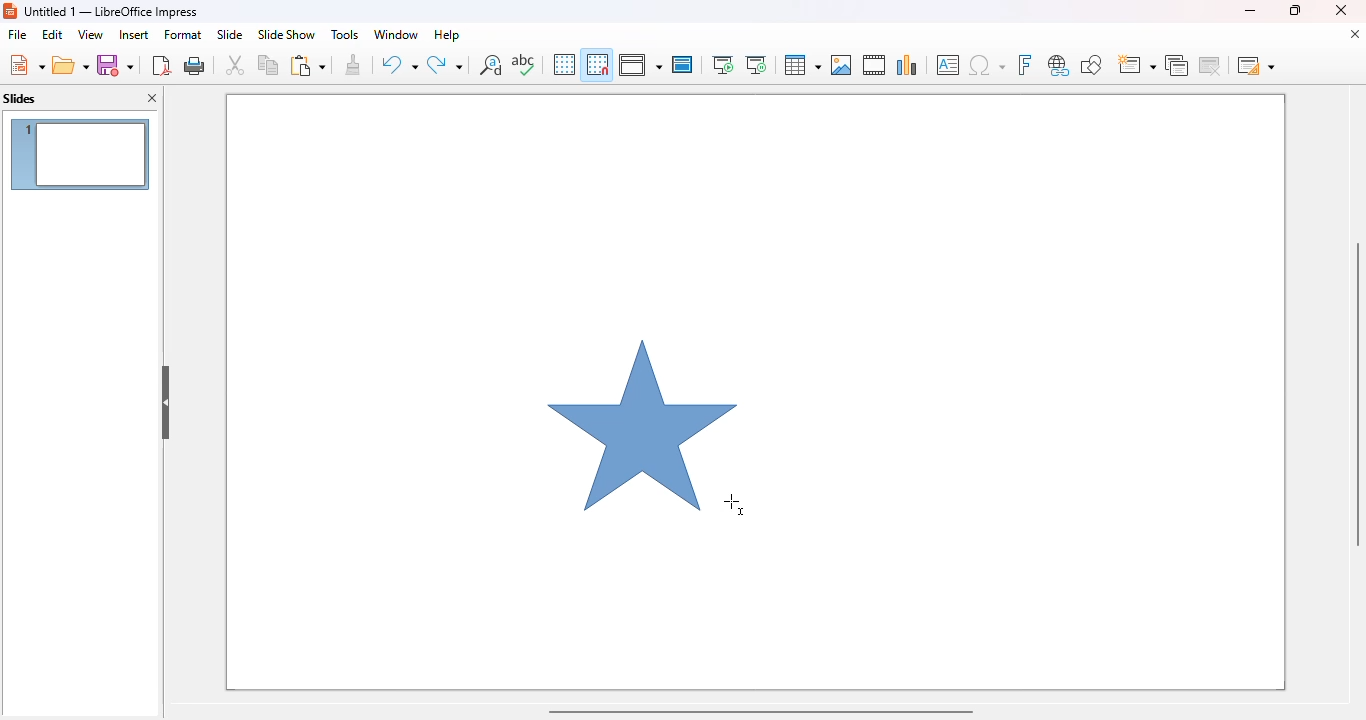  I want to click on undo, so click(399, 65).